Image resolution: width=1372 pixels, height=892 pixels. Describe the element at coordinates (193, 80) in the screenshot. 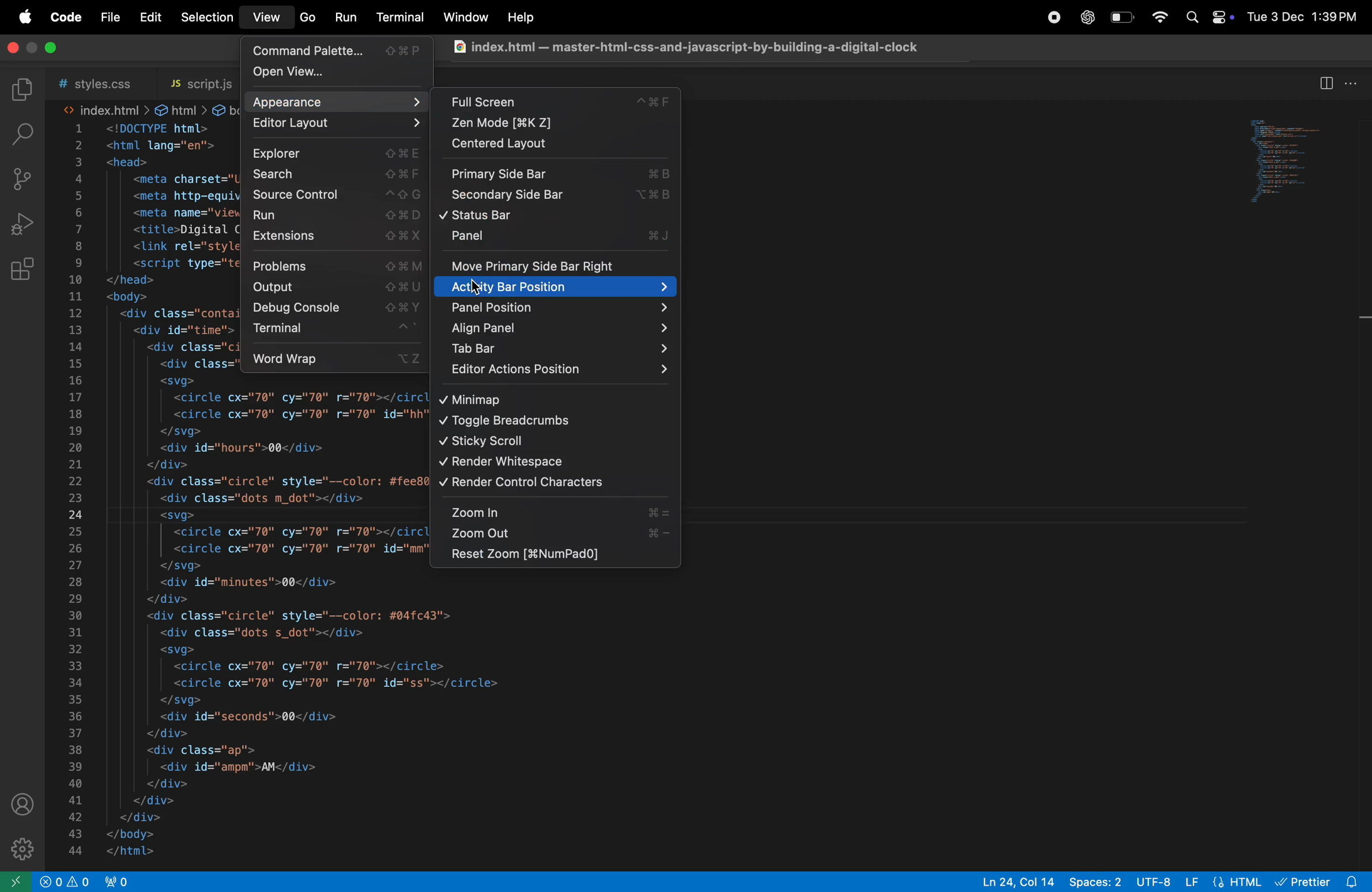

I see `script.js` at that location.